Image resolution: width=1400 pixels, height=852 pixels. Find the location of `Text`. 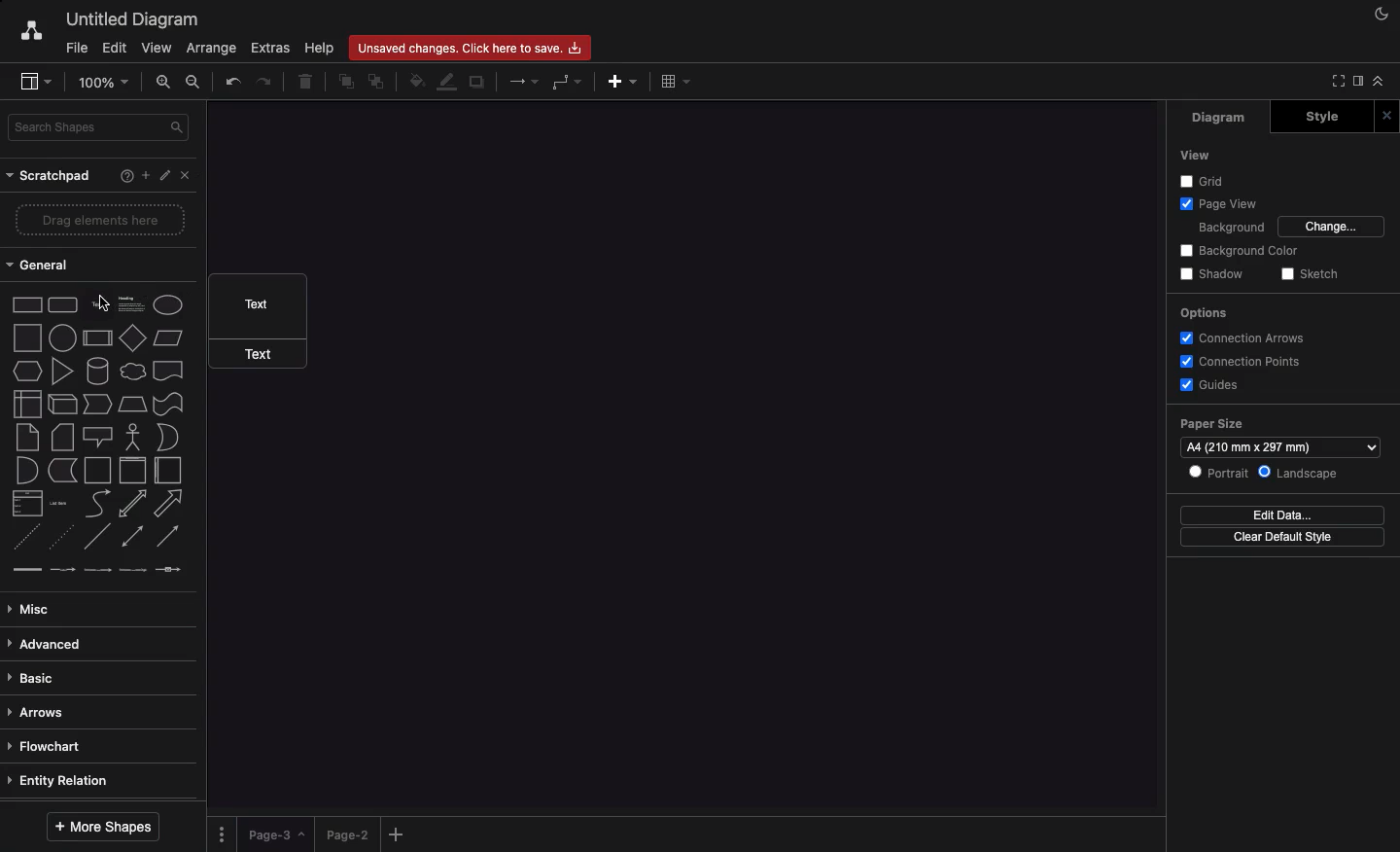

Text is located at coordinates (256, 305).